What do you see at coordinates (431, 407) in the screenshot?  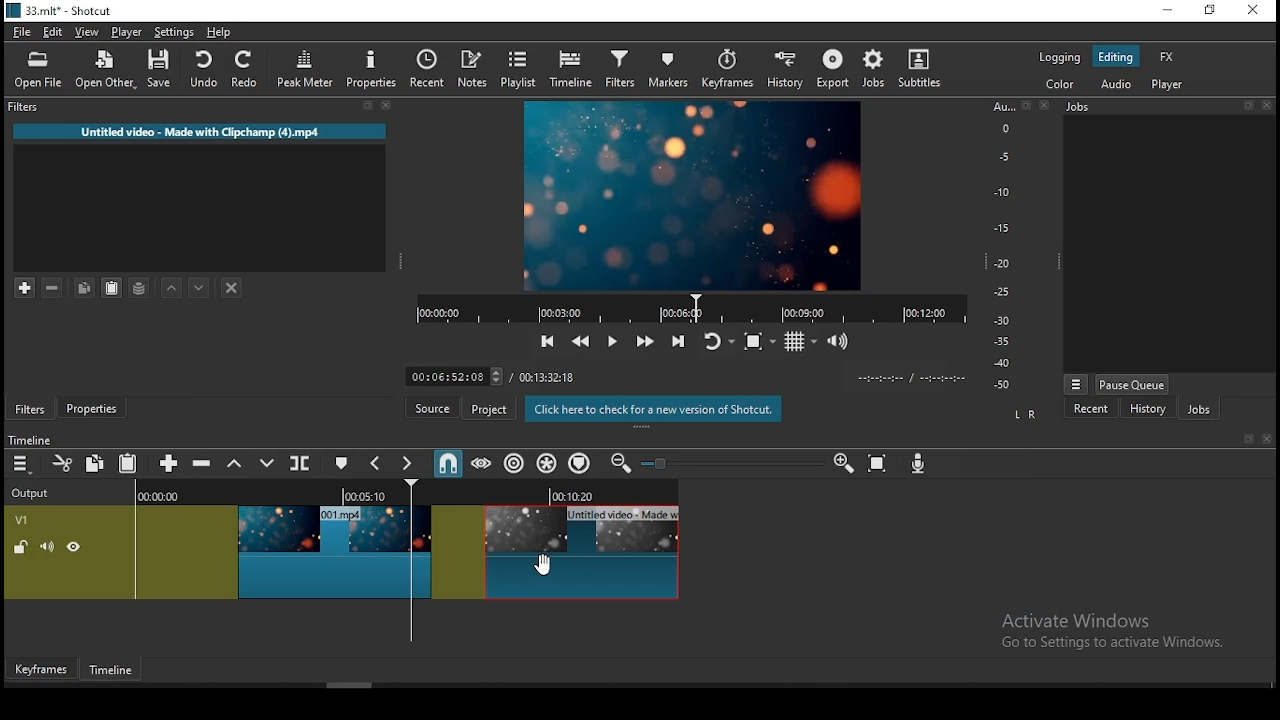 I see `source` at bounding box center [431, 407].